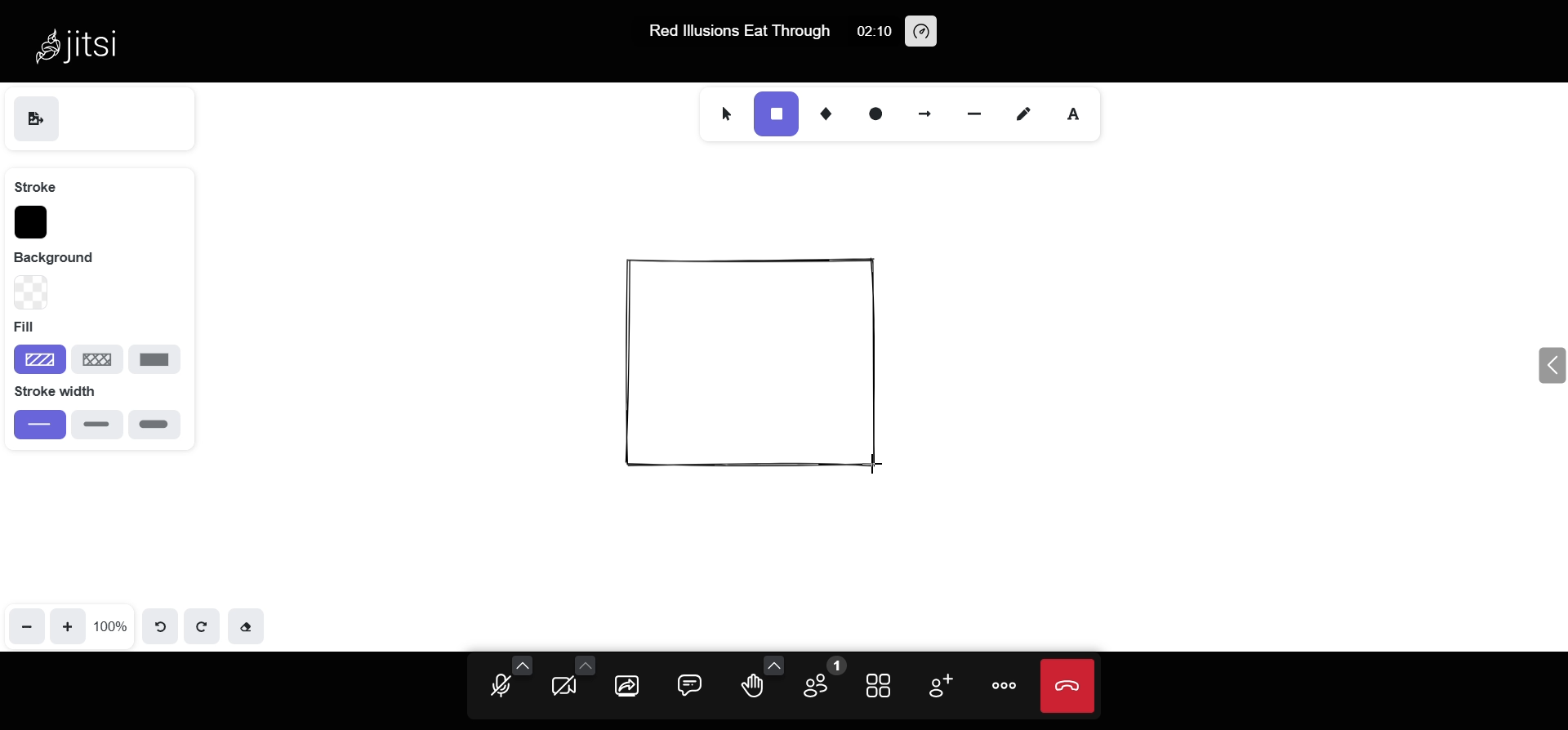  Describe the element at coordinates (1020, 113) in the screenshot. I see `draw` at that location.